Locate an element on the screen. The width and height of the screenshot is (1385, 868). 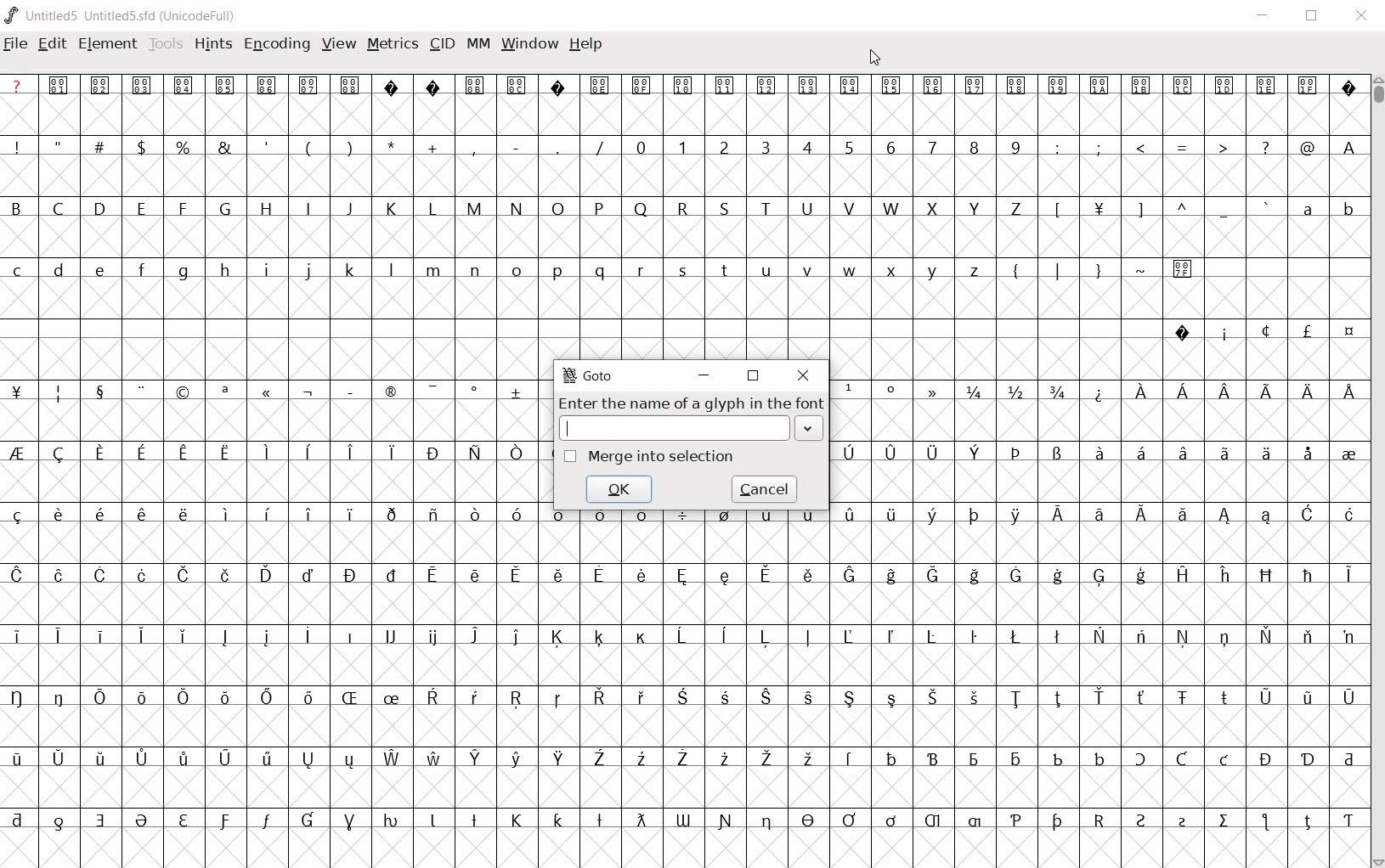
Symbol is located at coordinates (100, 575).